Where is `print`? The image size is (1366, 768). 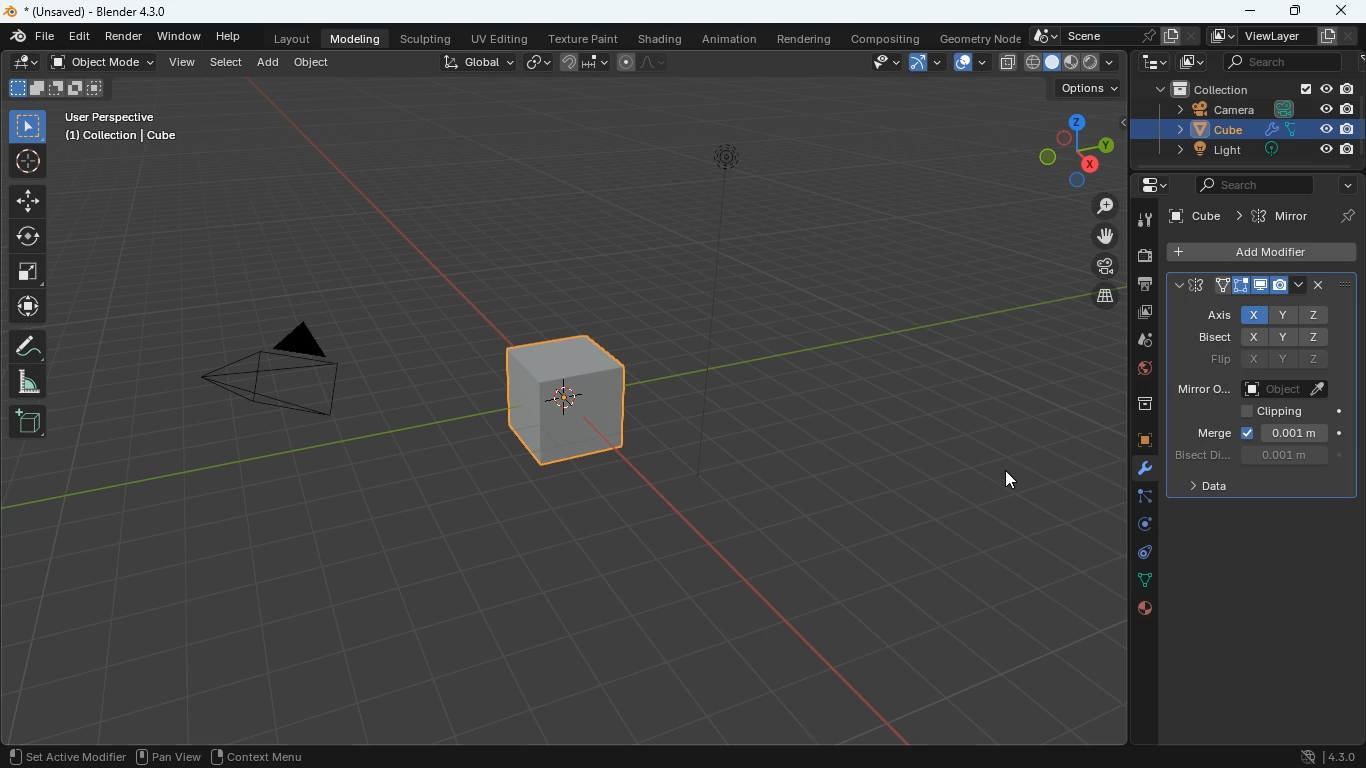
print is located at coordinates (1143, 285).